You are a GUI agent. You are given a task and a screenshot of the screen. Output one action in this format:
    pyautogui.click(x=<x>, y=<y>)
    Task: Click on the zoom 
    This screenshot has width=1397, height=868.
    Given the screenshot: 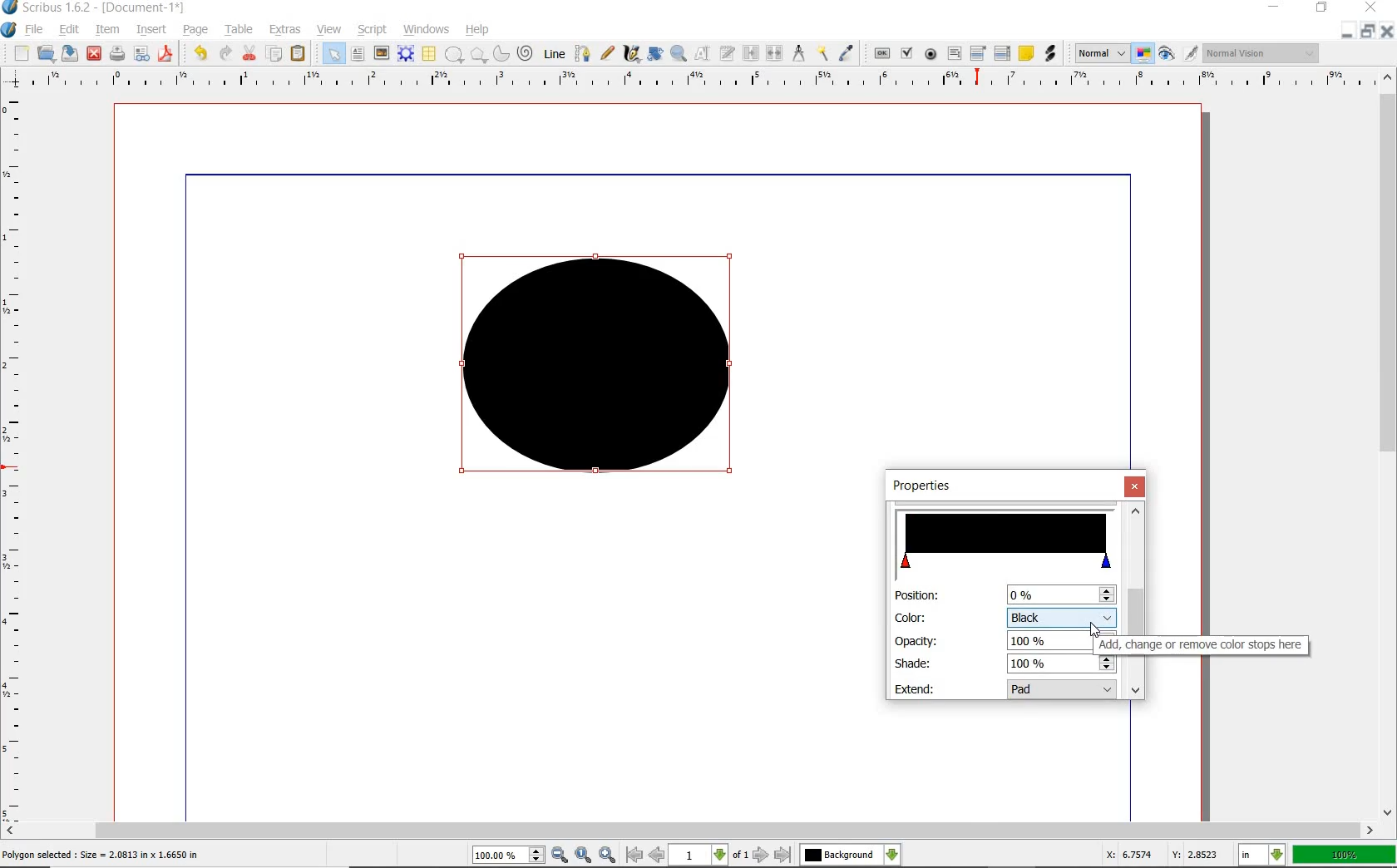 What is the action you would take?
    pyautogui.click(x=510, y=856)
    